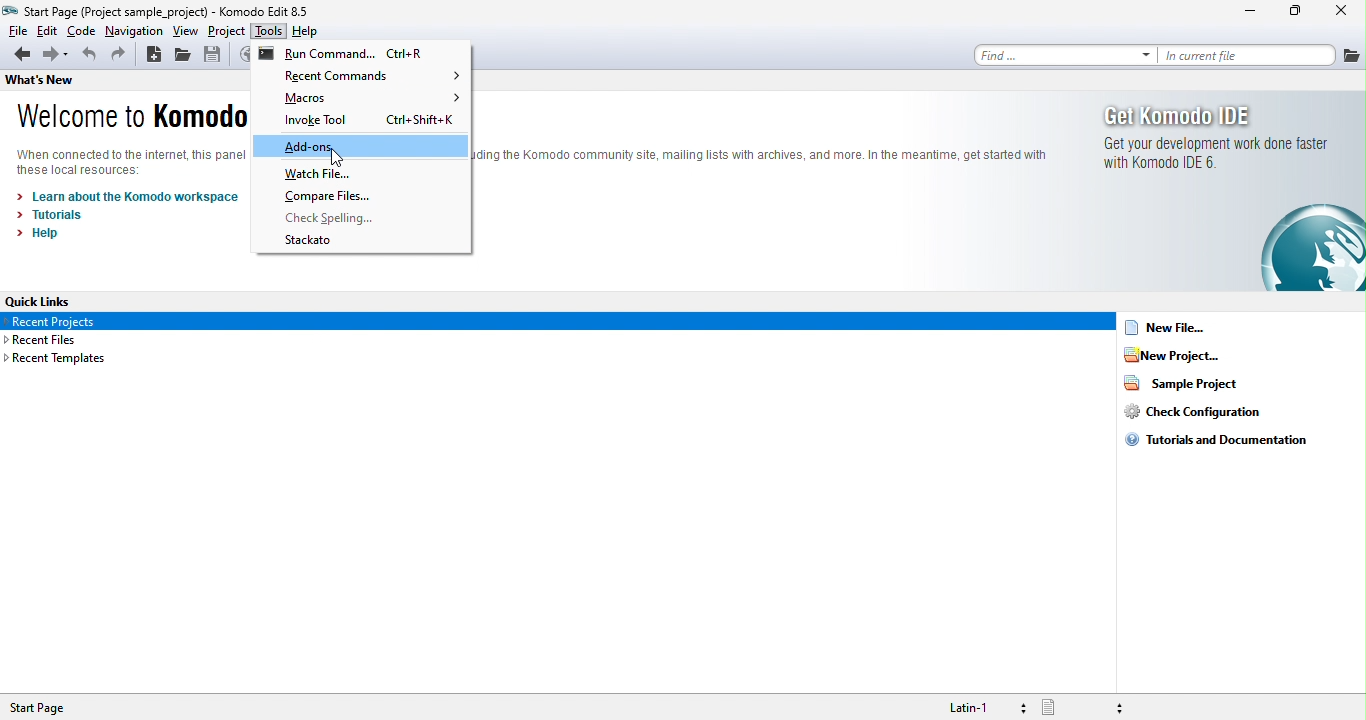 This screenshot has width=1366, height=720. Describe the element at coordinates (351, 55) in the screenshot. I see `run command` at that location.